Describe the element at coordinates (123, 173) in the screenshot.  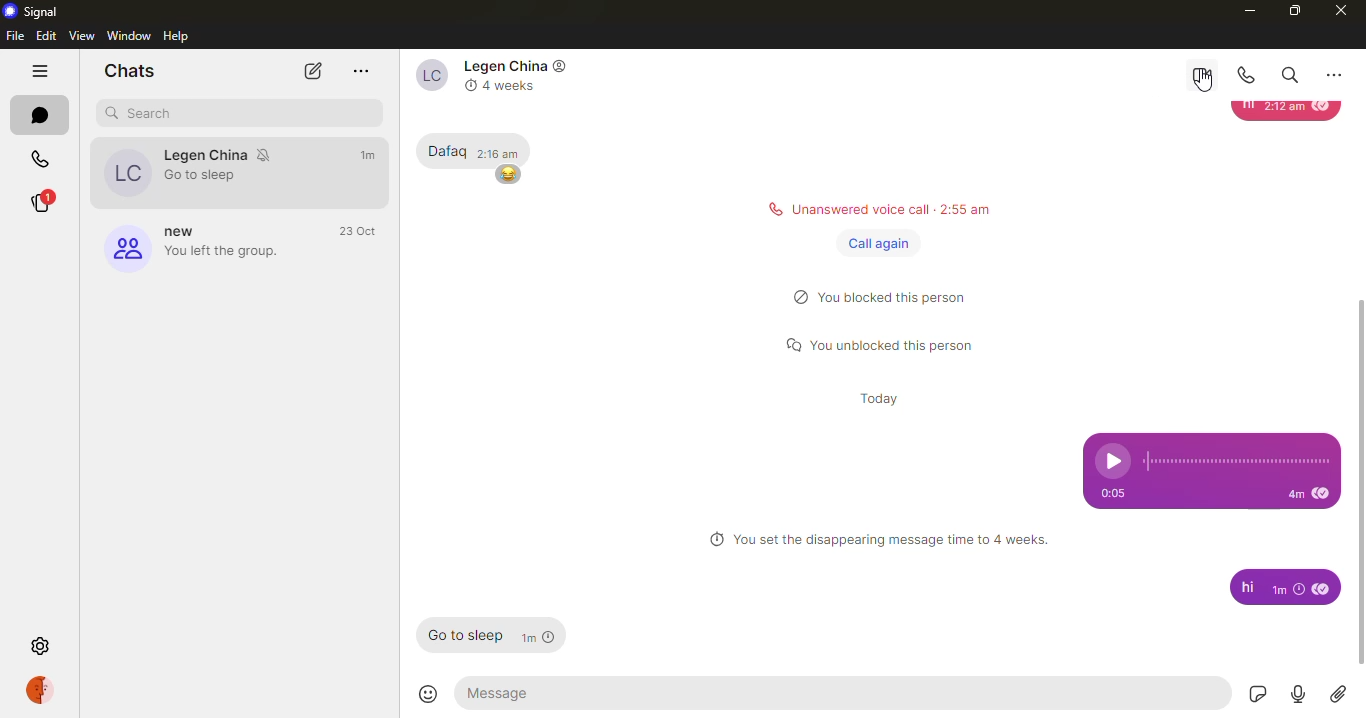
I see `legen china's profile` at that location.